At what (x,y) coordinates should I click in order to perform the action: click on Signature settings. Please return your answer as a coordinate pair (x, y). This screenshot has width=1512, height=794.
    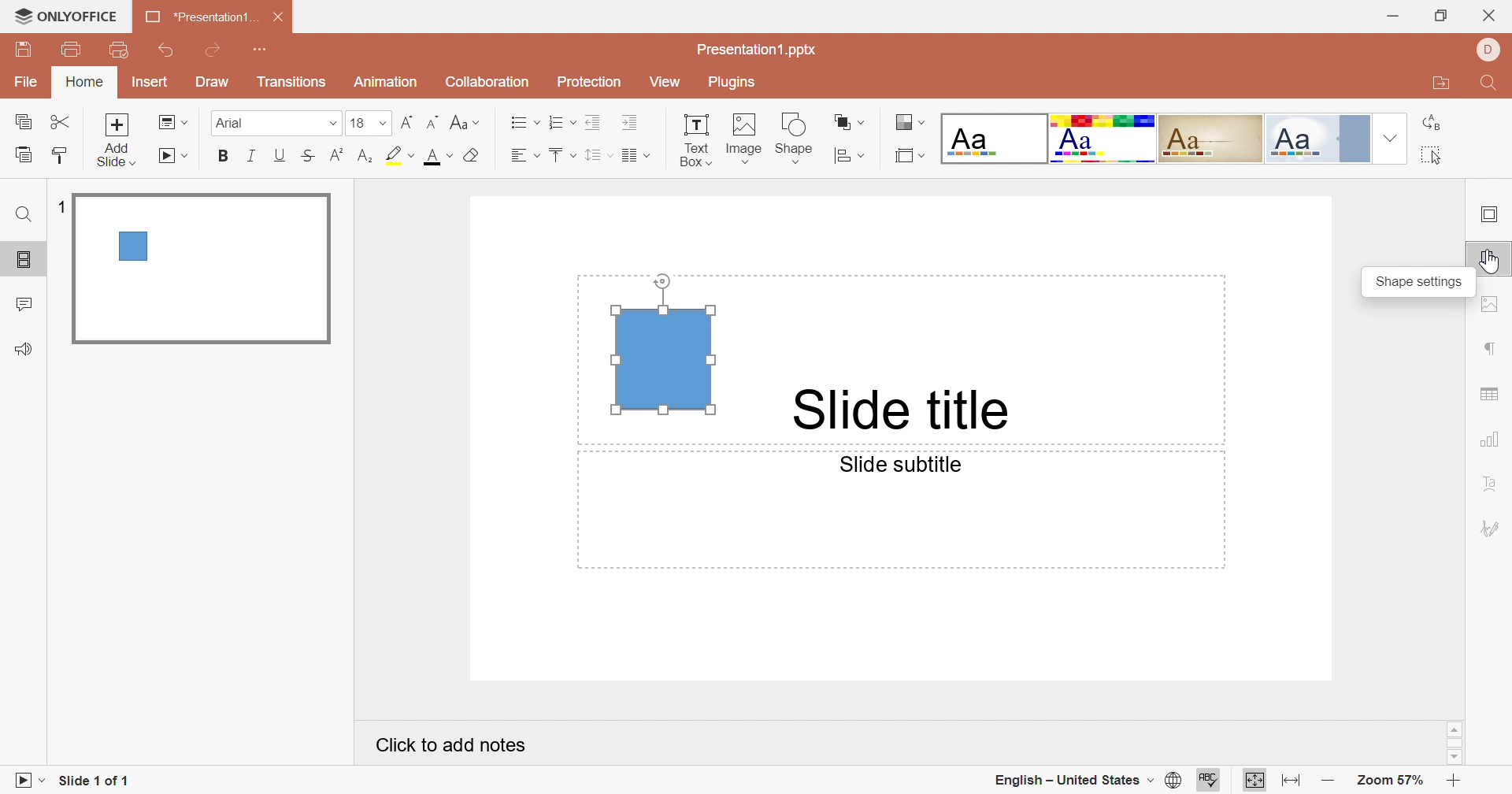
    Looking at the image, I should click on (1492, 525).